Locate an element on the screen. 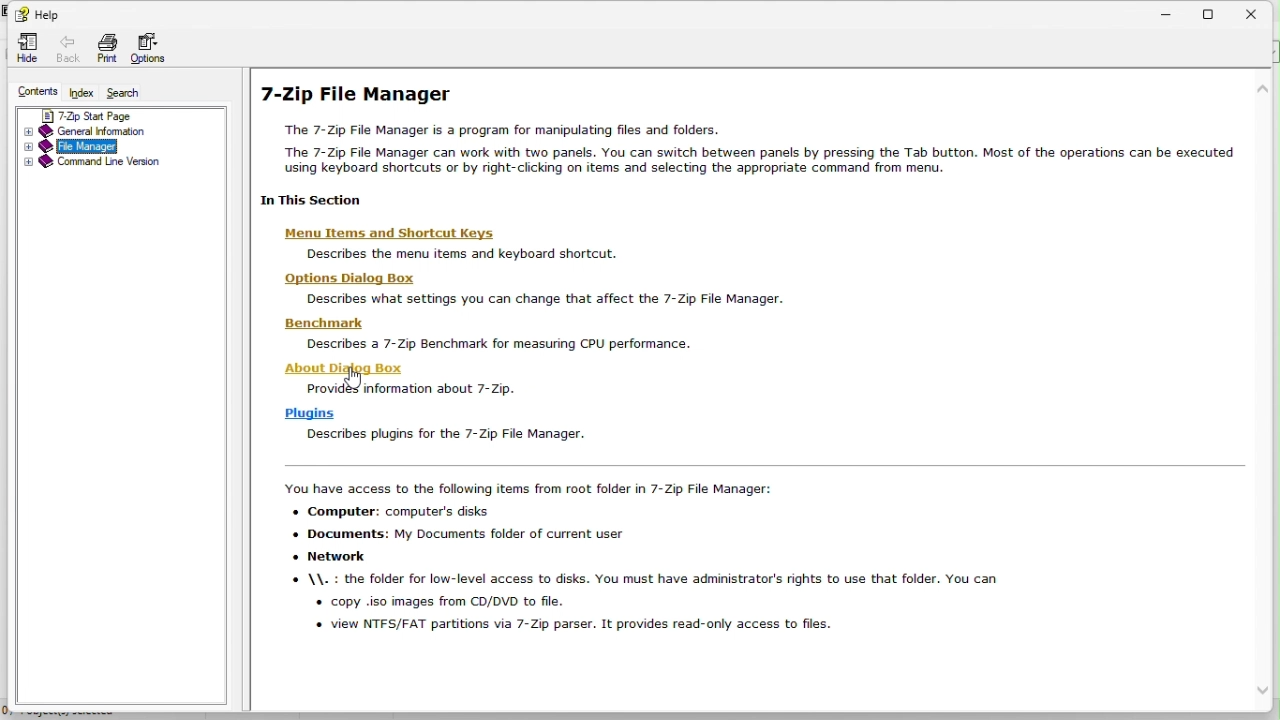 The width and height of the screenshot is (1280, 720). Minimize is located at coordinates (1169, 12).